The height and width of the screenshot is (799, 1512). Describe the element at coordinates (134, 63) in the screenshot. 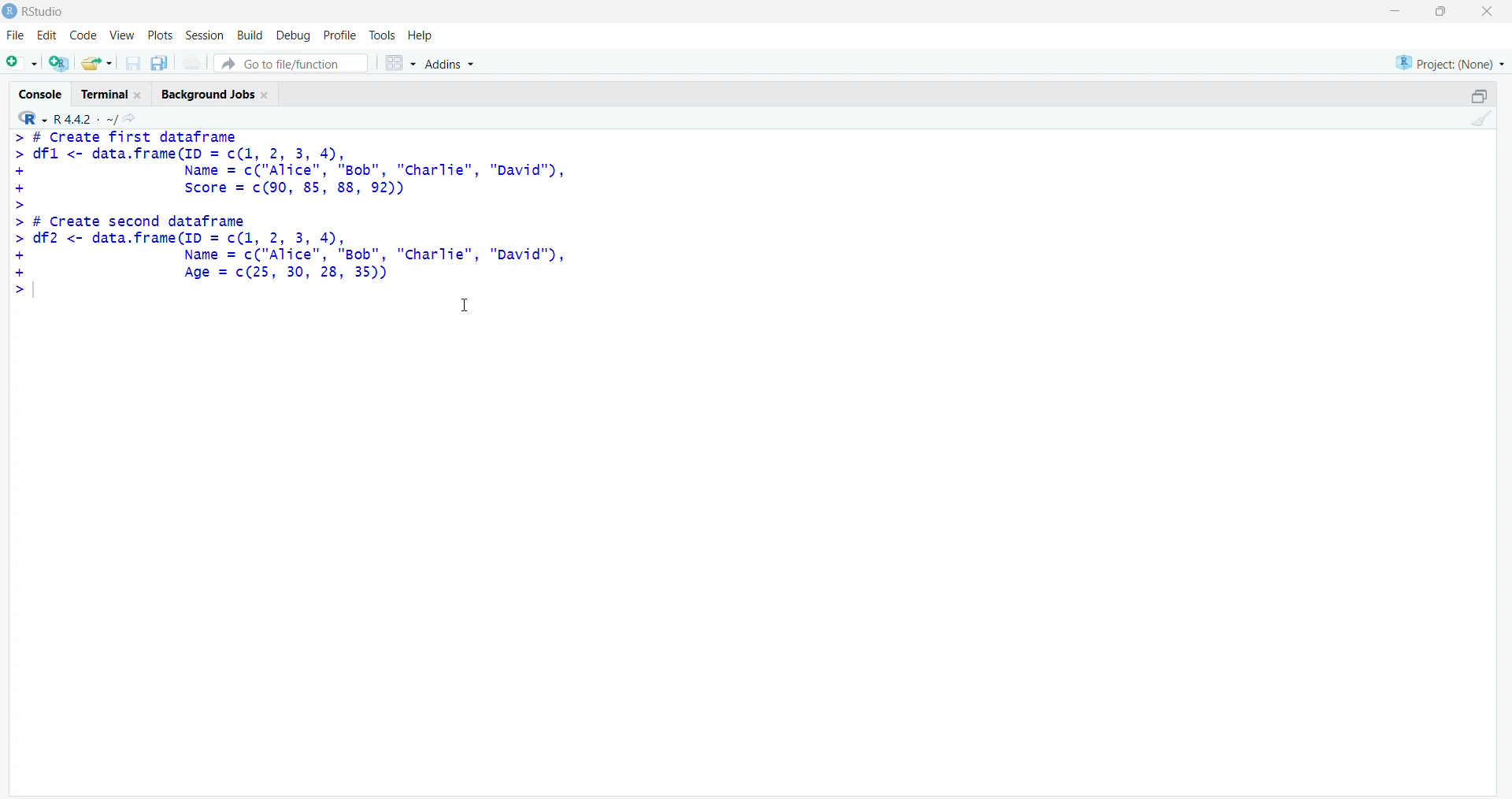

I see `save` at that location.